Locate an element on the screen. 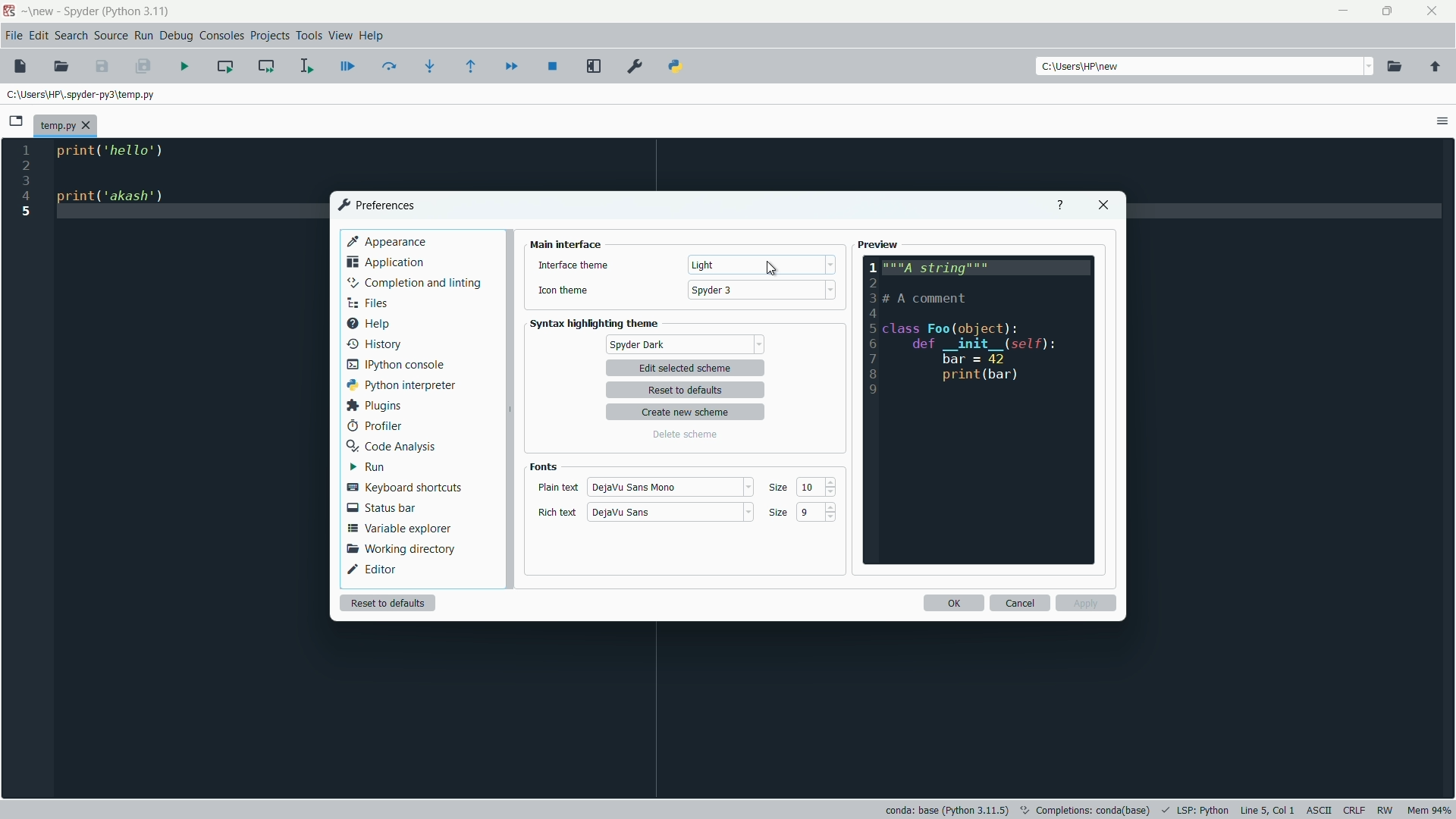 Image resolution: width=1456 pixels, height=819 pixels. search menu is located at coordinates (71, 35).